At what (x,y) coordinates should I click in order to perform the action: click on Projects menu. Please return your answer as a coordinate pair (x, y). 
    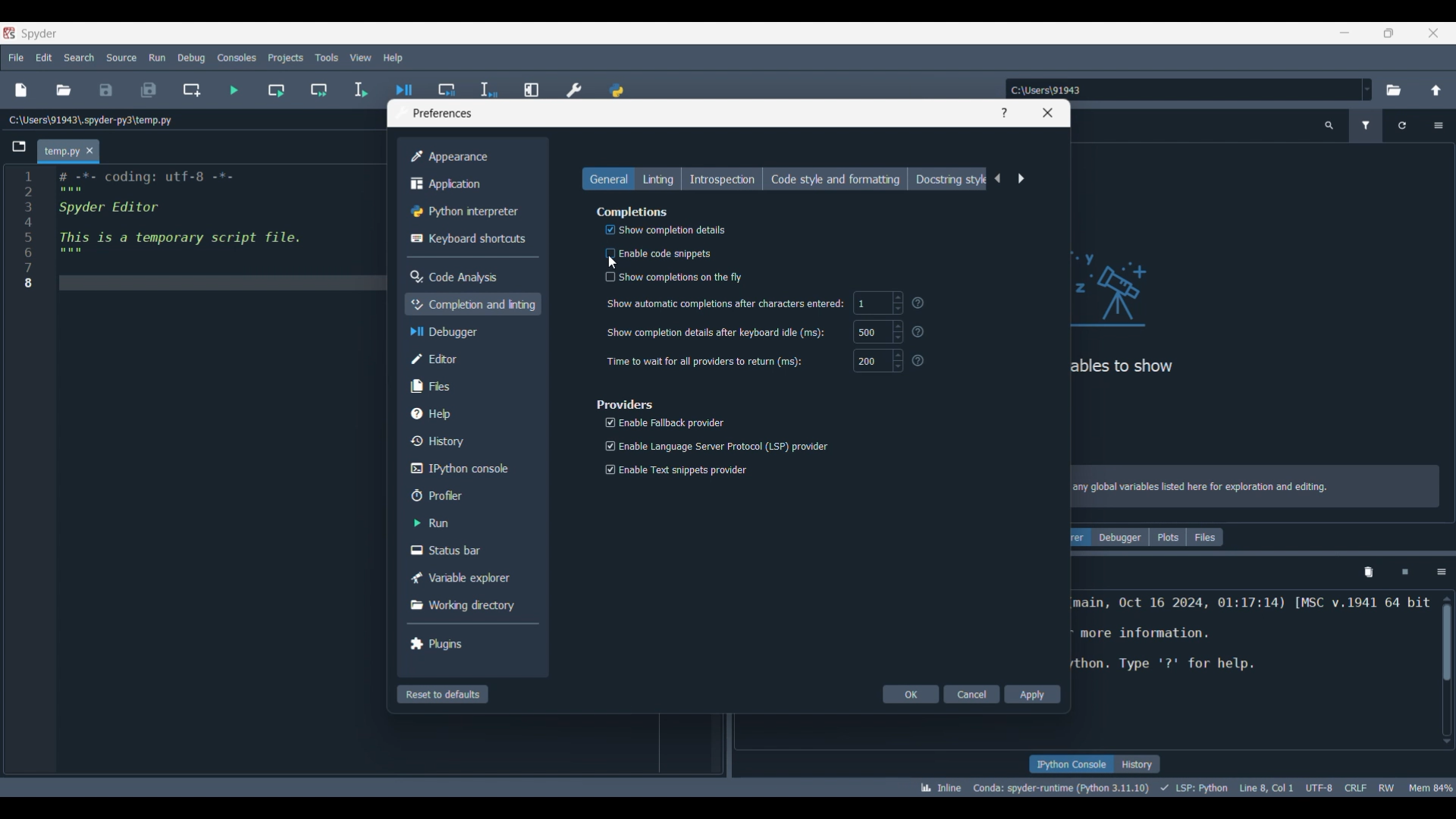
    Looking at the image, I should click on (286, 58).